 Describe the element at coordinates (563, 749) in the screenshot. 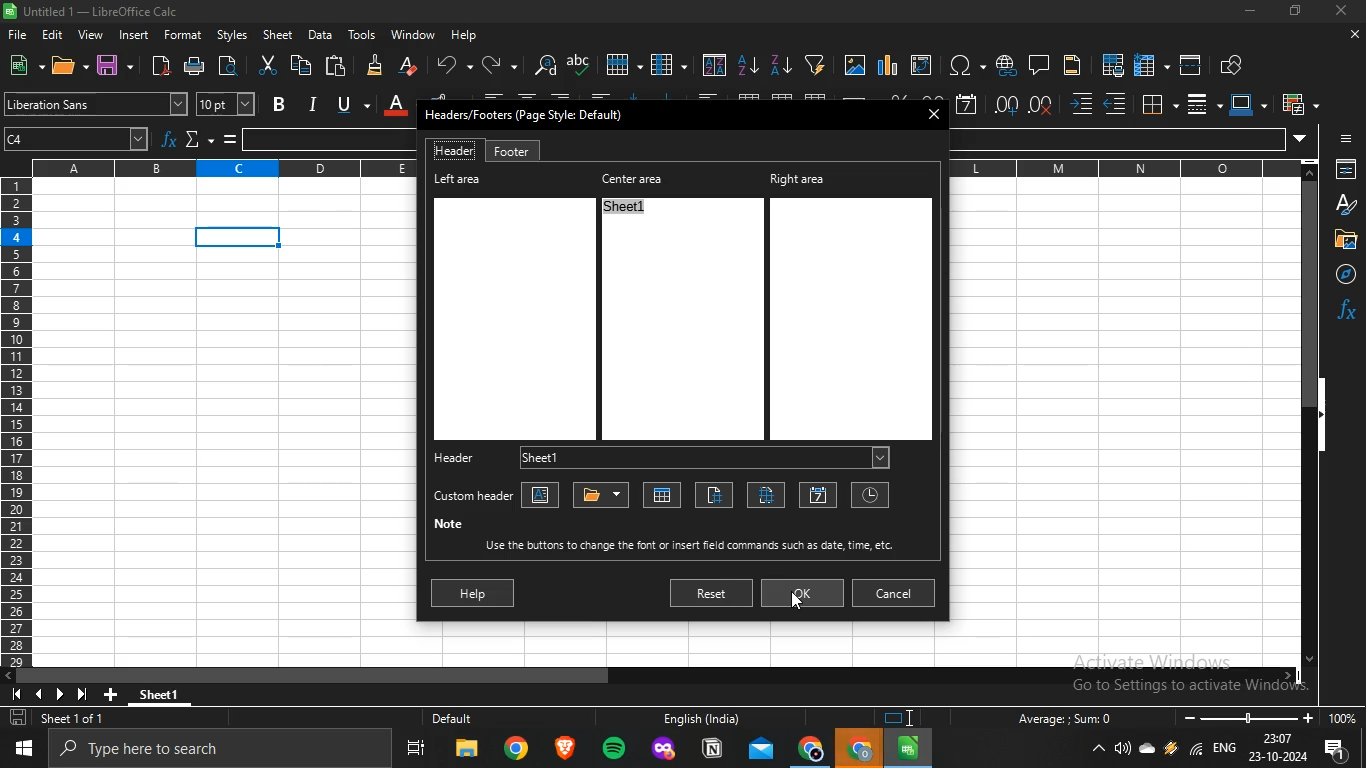

I see `brave` at that location.